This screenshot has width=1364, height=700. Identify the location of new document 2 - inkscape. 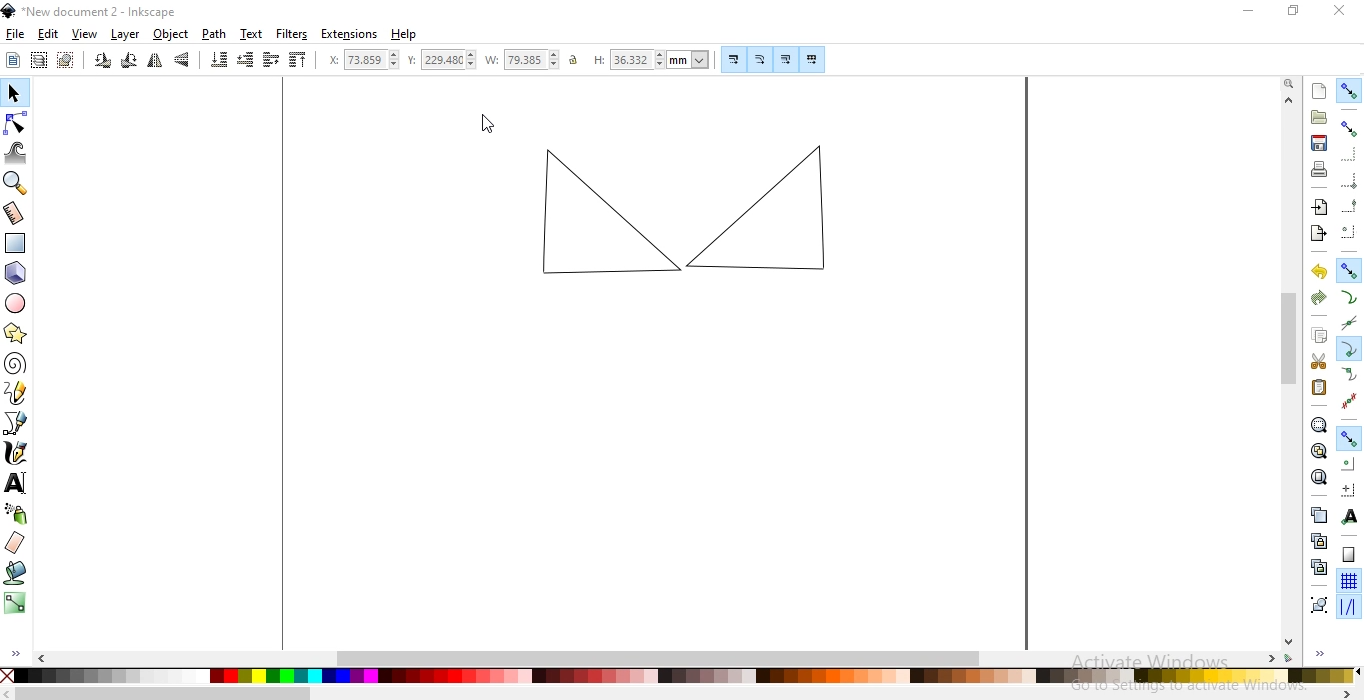
(96, 14).